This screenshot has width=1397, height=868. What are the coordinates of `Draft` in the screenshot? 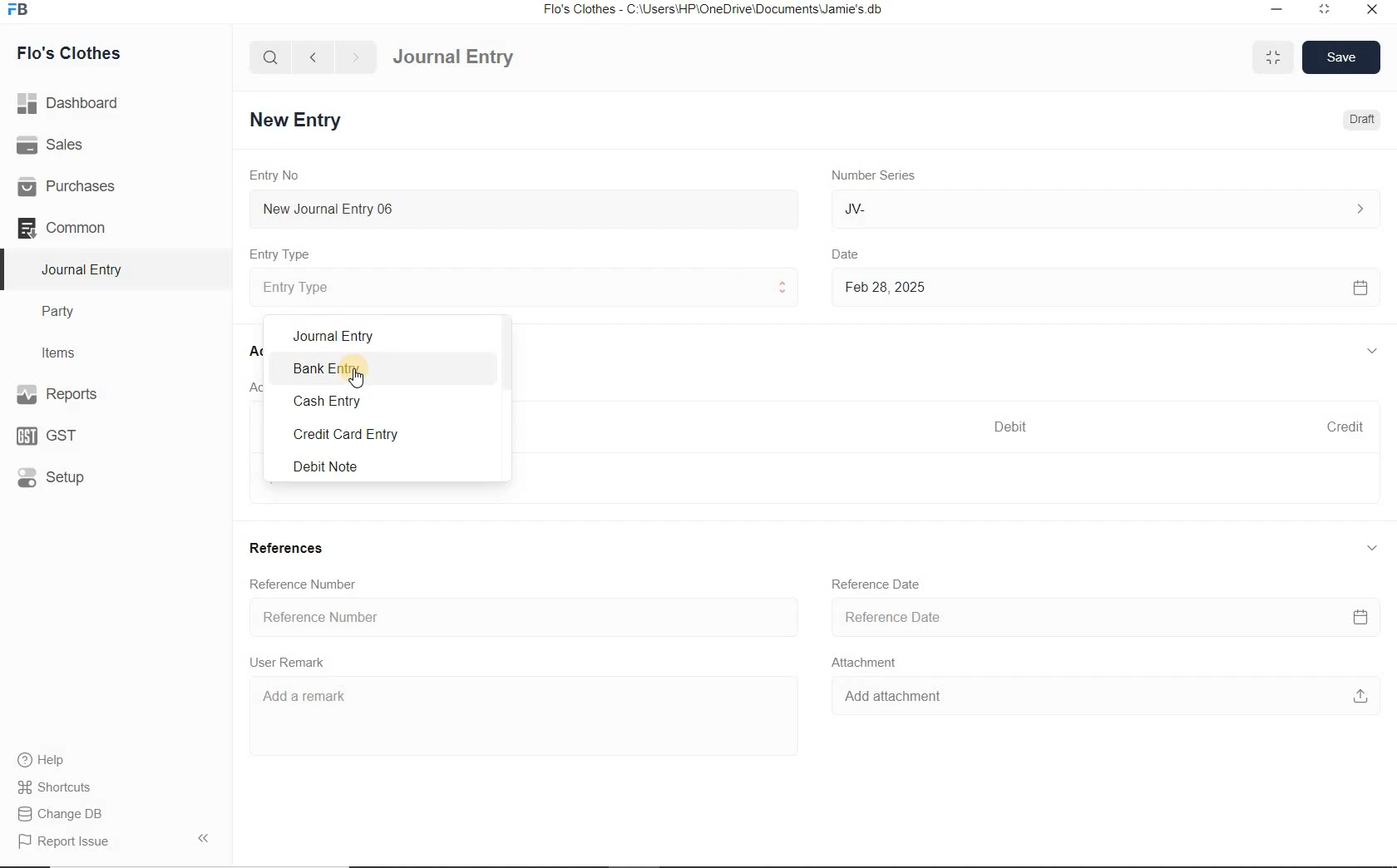 It's located at (1359, 120).